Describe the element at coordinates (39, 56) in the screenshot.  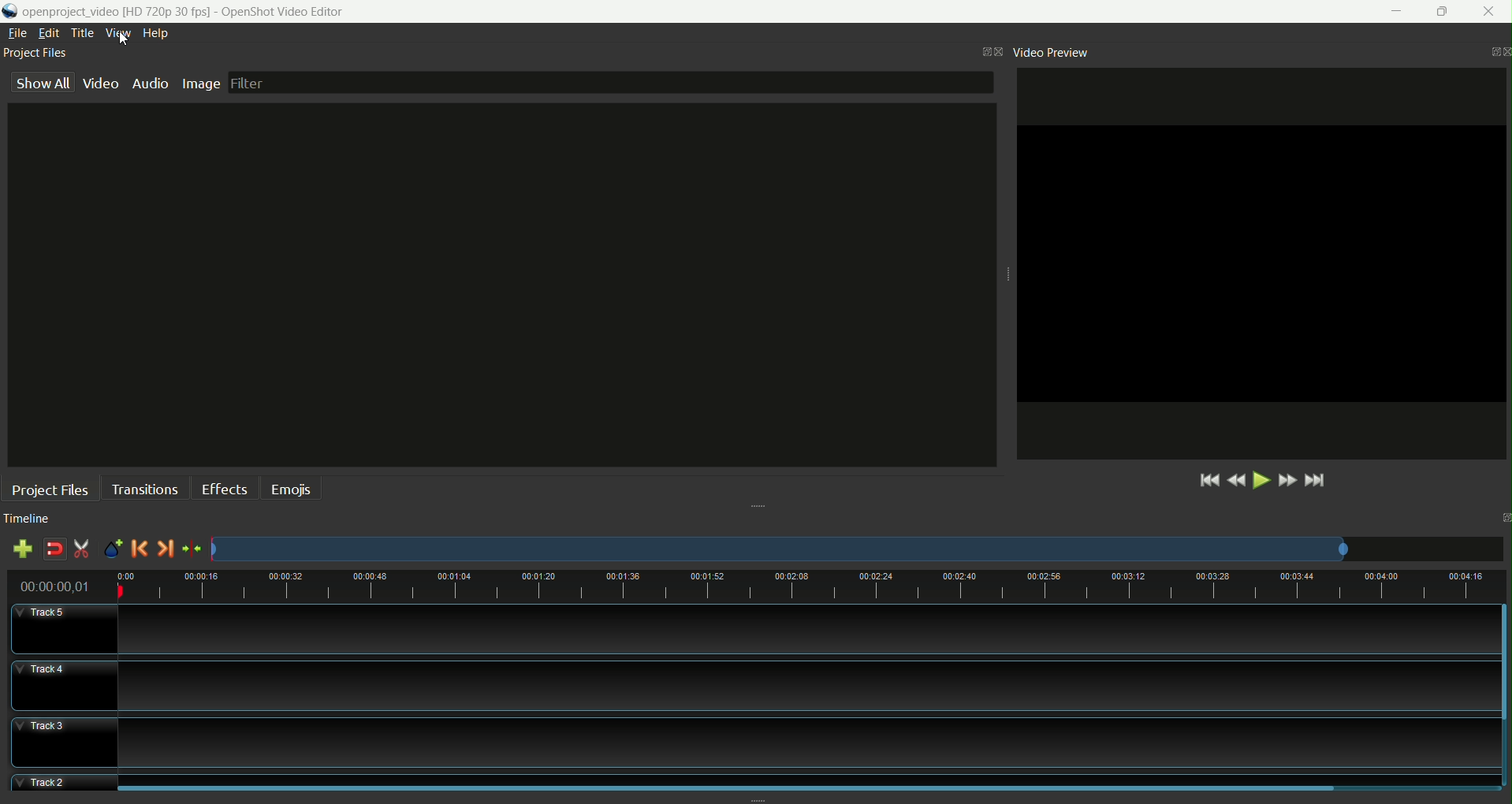
I see `project files` at that location.